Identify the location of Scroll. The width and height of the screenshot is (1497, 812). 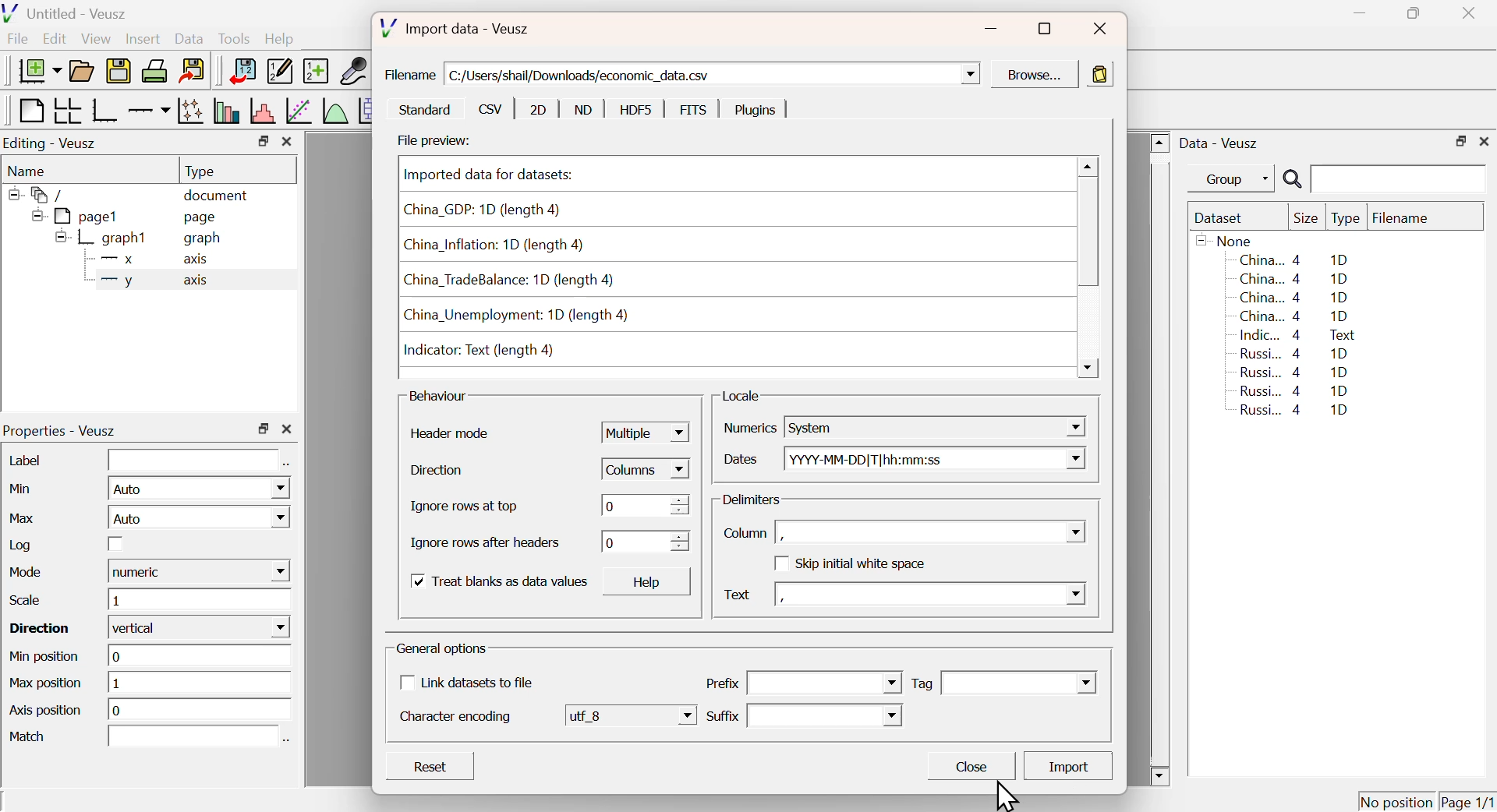
(1160, 461).